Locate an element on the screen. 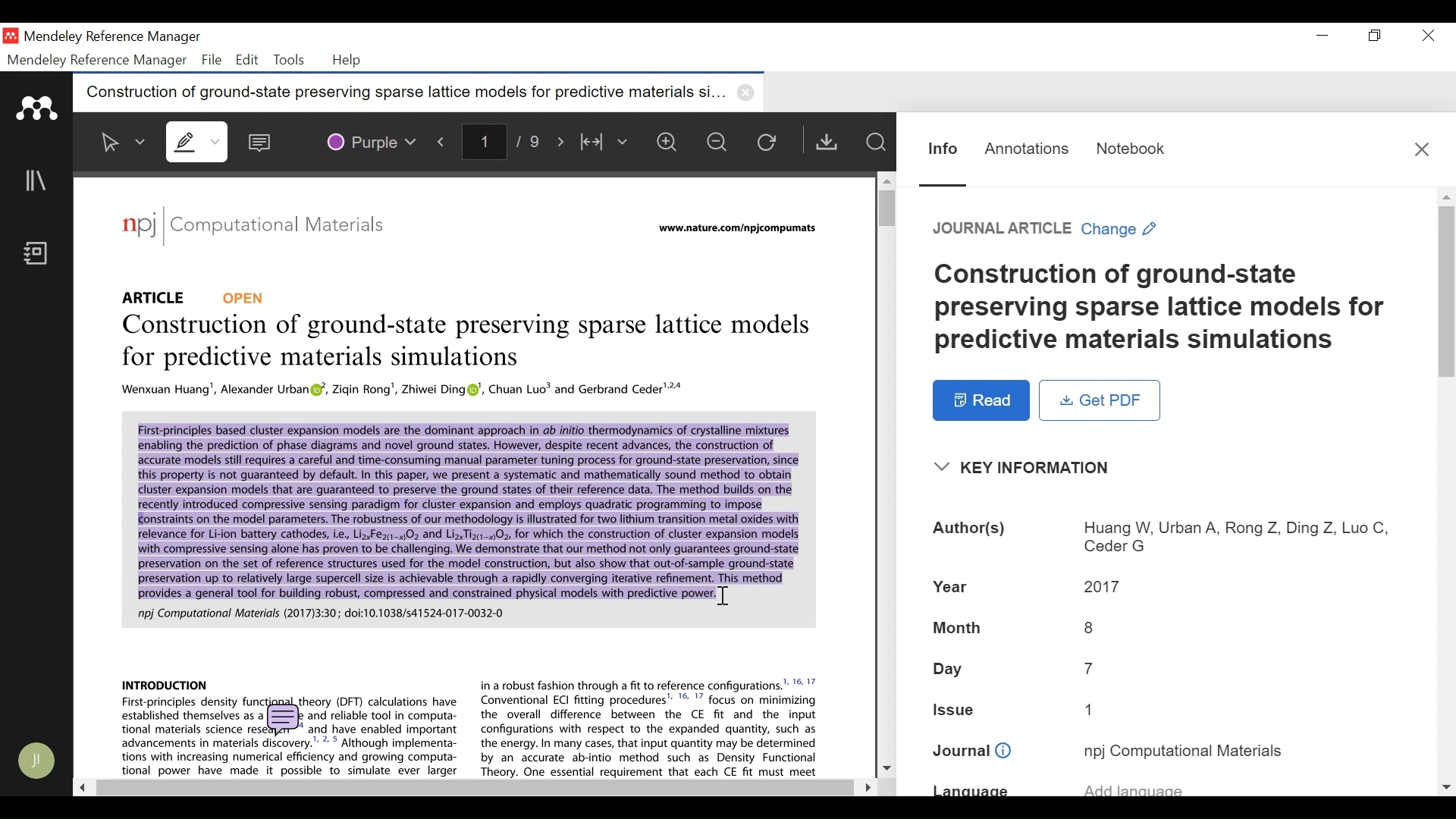 The image size is (1456, 819). Issue is located at coordinates (1095, 708).